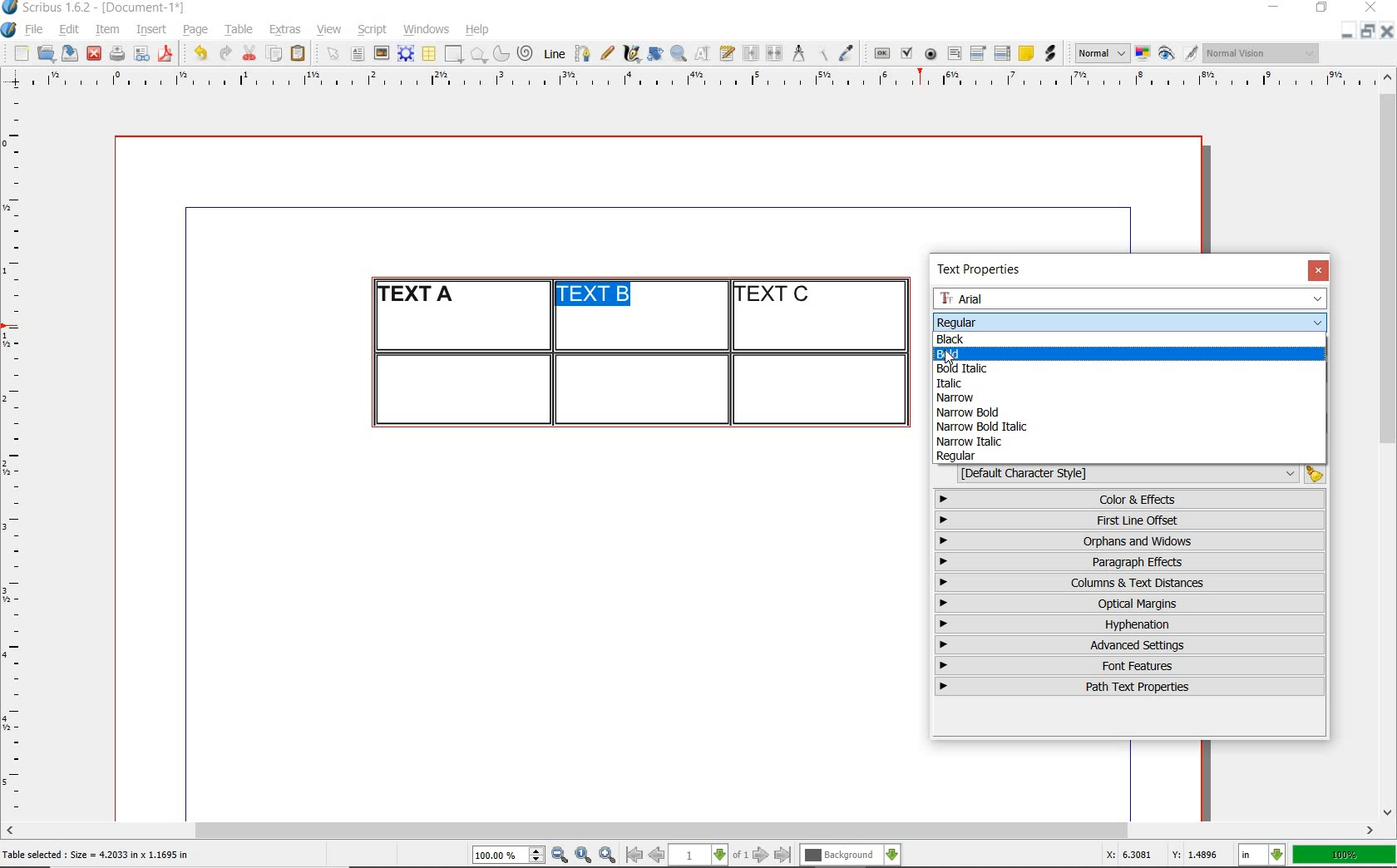  What do you see at coordinates (633, 855) in the screenshot?
I see `go to first page` at bounding box center [633, 855].